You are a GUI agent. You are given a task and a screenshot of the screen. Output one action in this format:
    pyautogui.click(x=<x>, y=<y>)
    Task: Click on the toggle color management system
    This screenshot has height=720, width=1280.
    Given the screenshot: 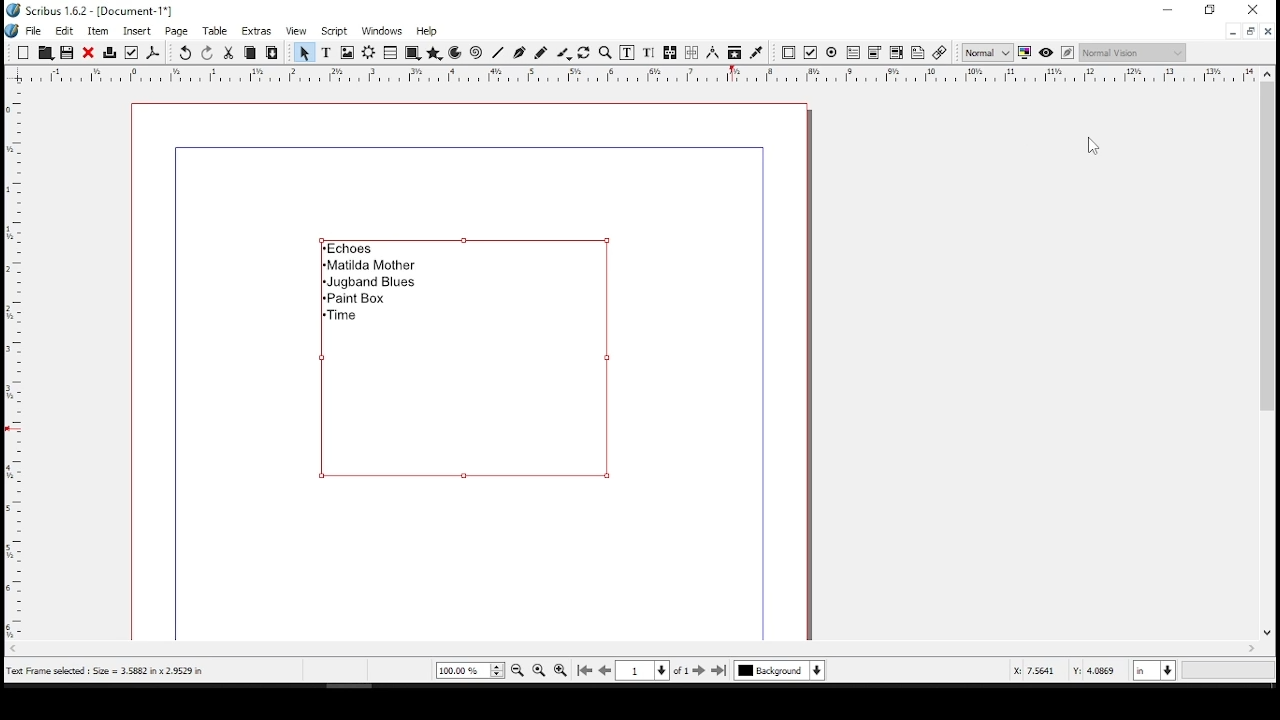 What is the action you would take?
    pyautogui.click(x=1024, y=54)
    